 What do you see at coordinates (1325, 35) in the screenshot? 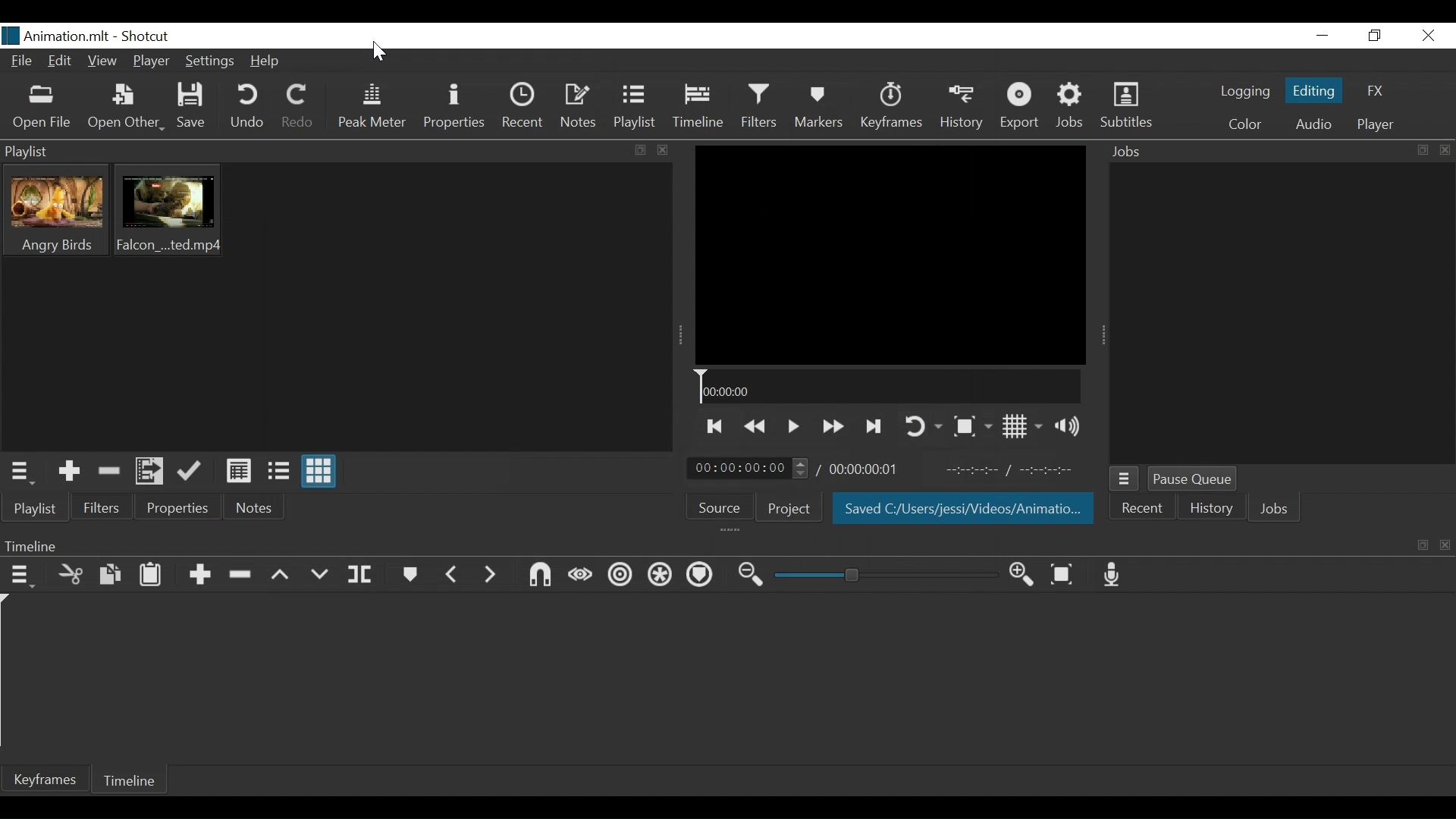
I see `minimize` at bounding box center [1325, 35].